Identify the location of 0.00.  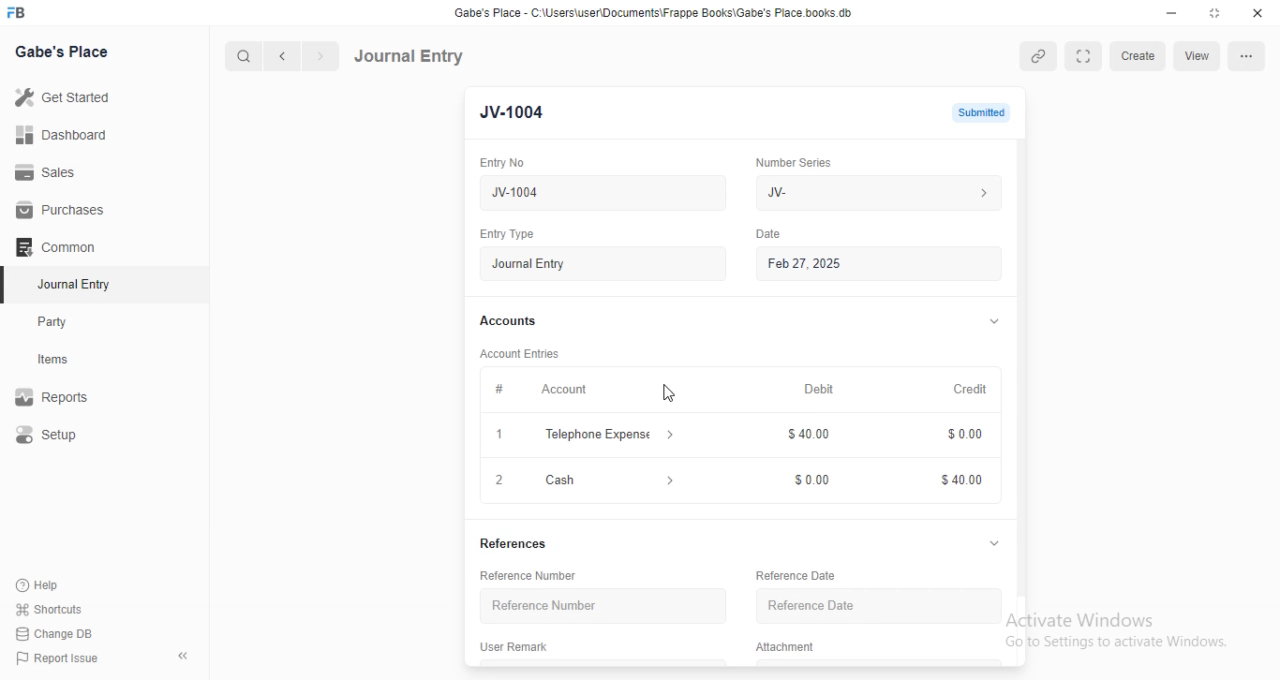
(807, 480).